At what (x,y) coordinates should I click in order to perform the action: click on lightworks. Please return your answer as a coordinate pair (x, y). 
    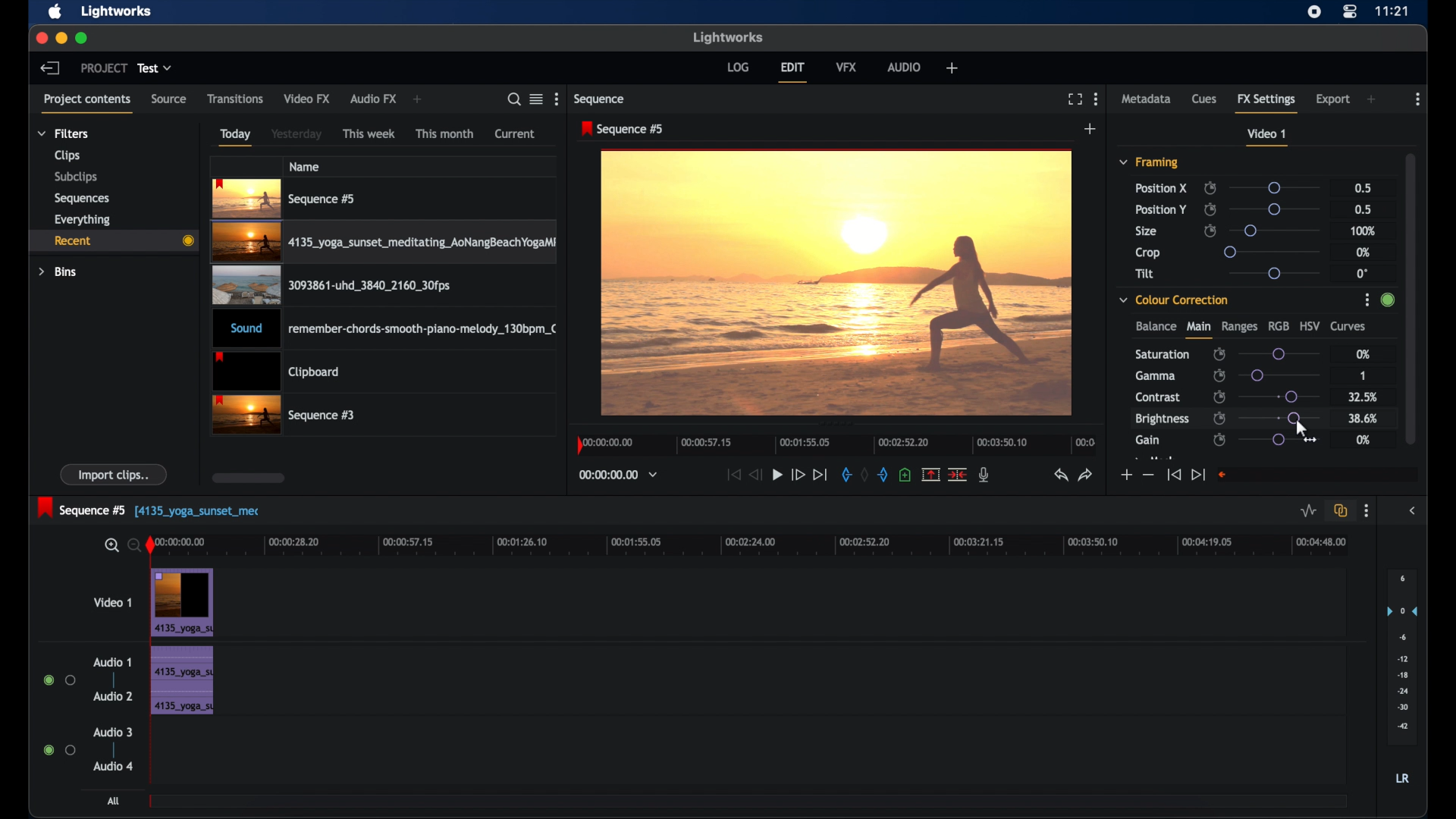
    Looking at the image, I should click on (117, 11).